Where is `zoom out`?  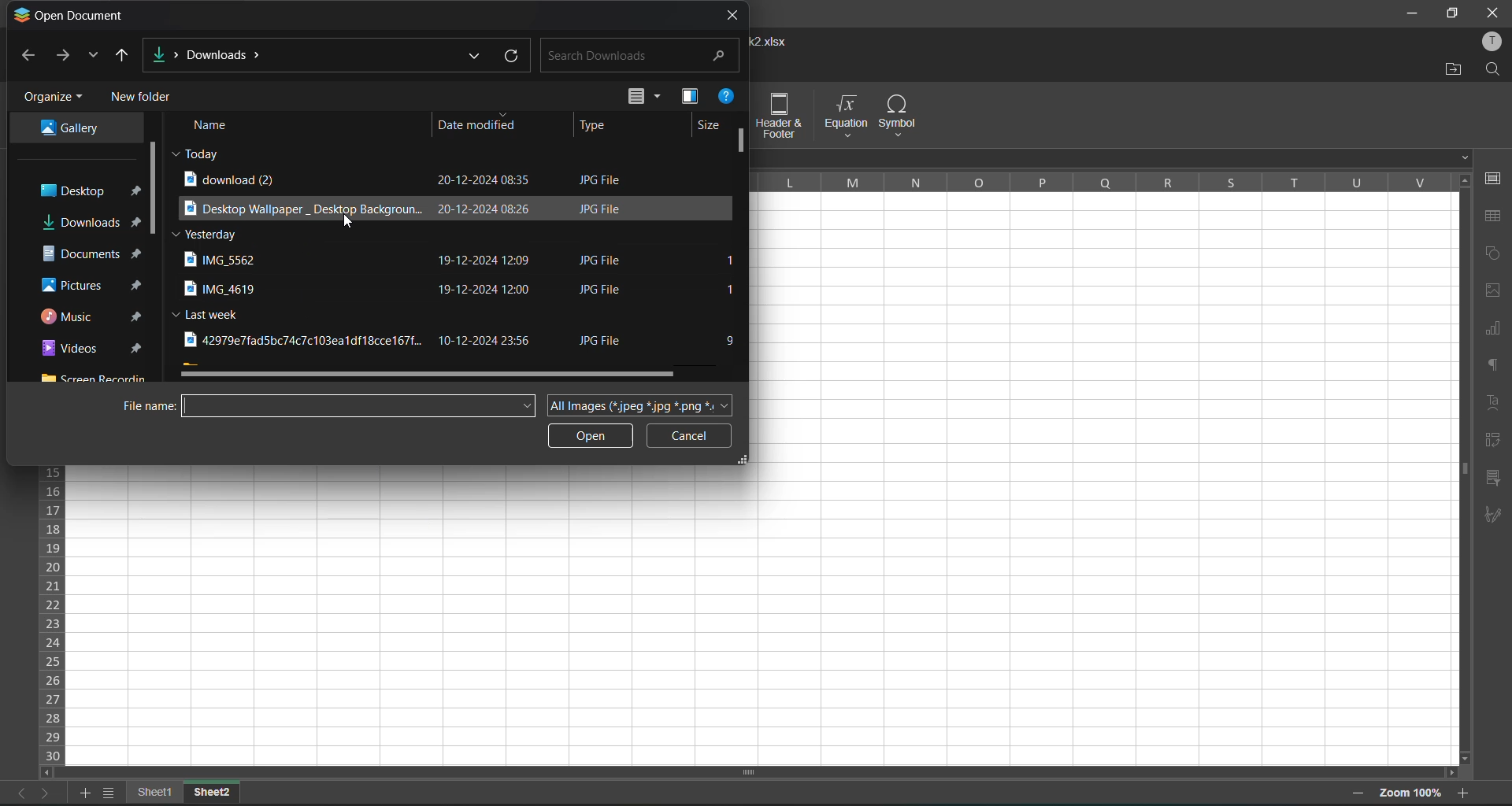
zoom out is located at coordinates (1361, 795).